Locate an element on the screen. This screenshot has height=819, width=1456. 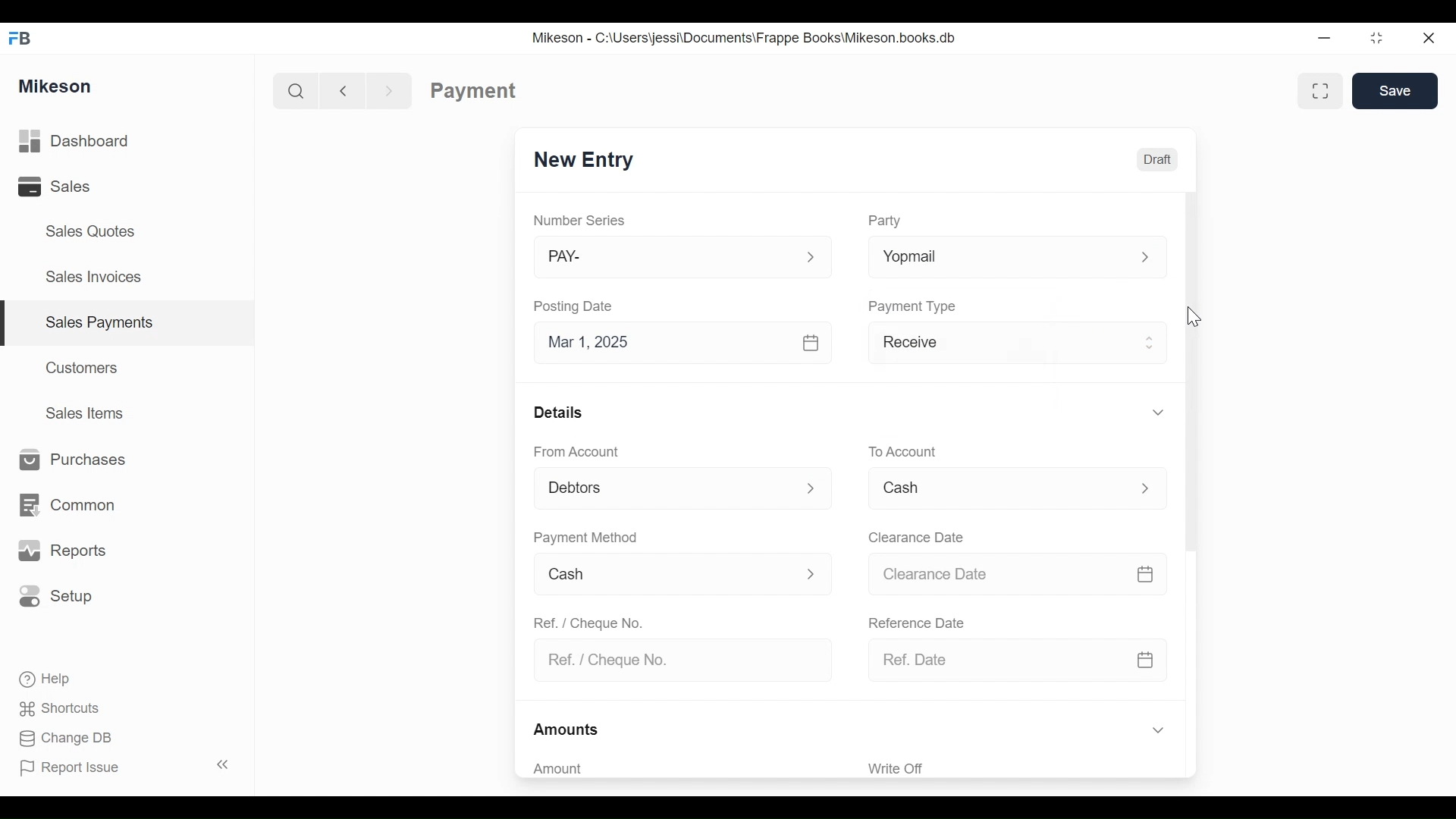
PAY- is located at coordinates (682, 256).